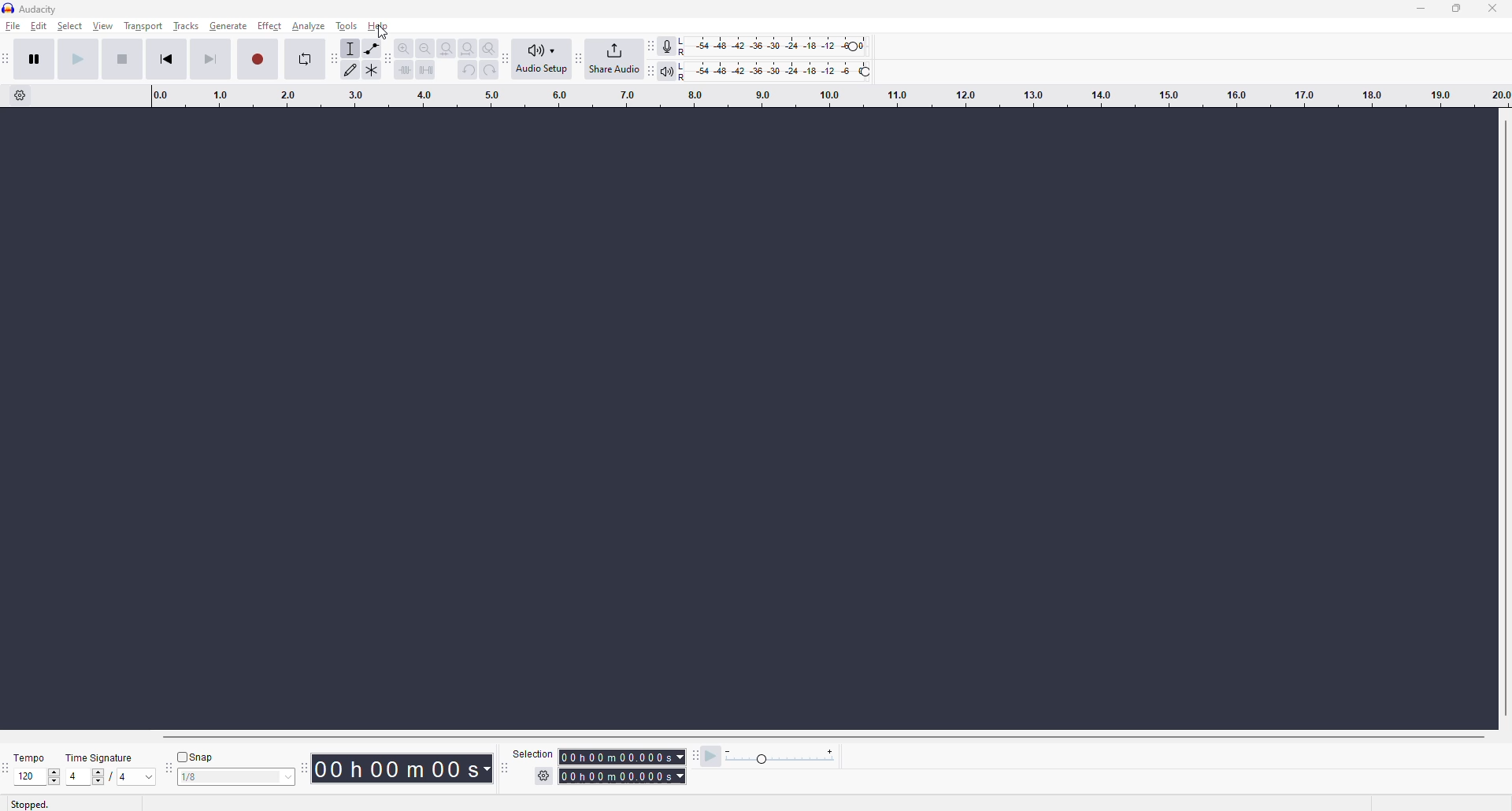 This screenshot has height=811, width=1512. Describe the element at coordinates (509, 58) in the screenshot. I see `audacity tools toolbar` at that location.